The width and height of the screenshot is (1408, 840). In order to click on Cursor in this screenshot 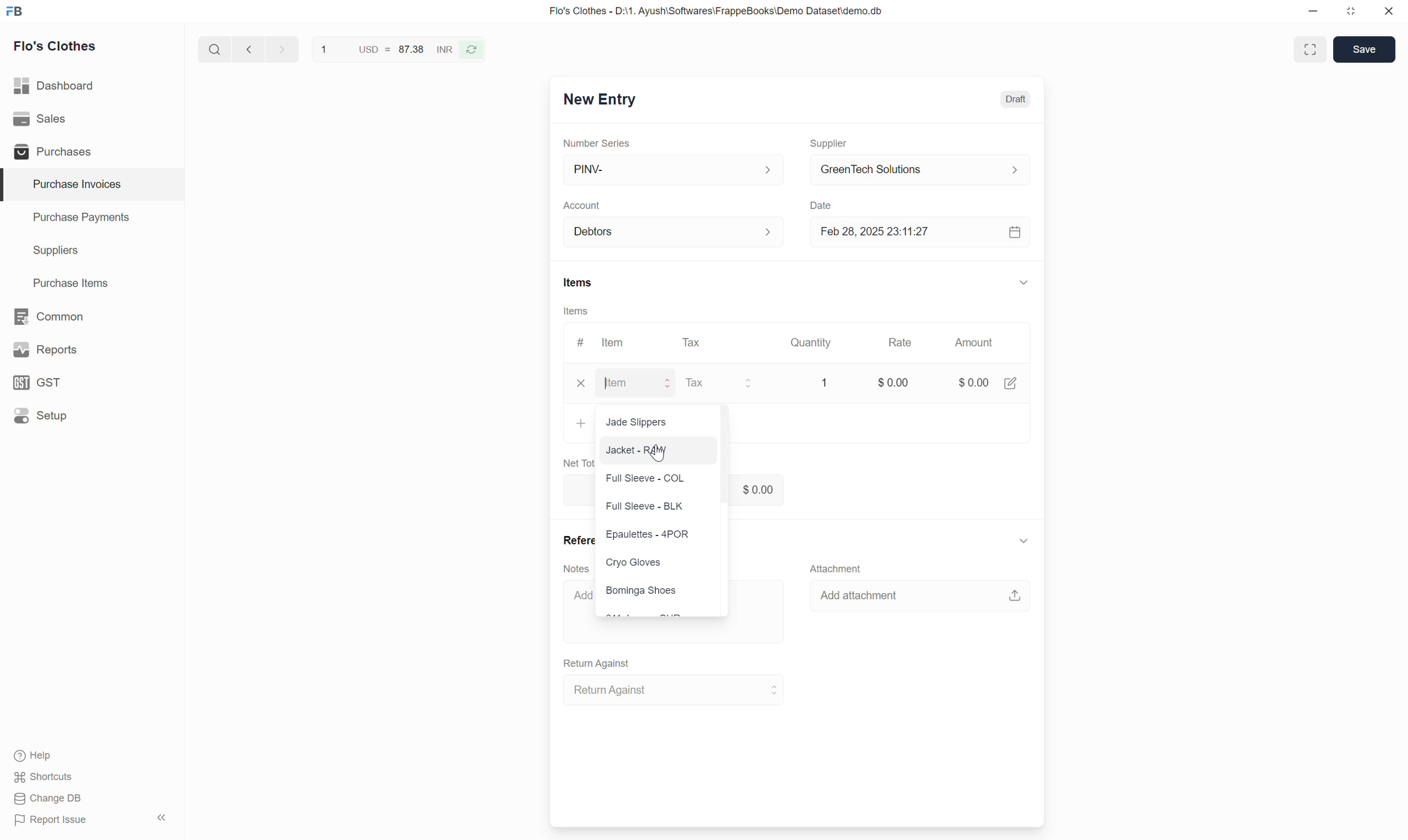, I will do `click(658, 452)`.